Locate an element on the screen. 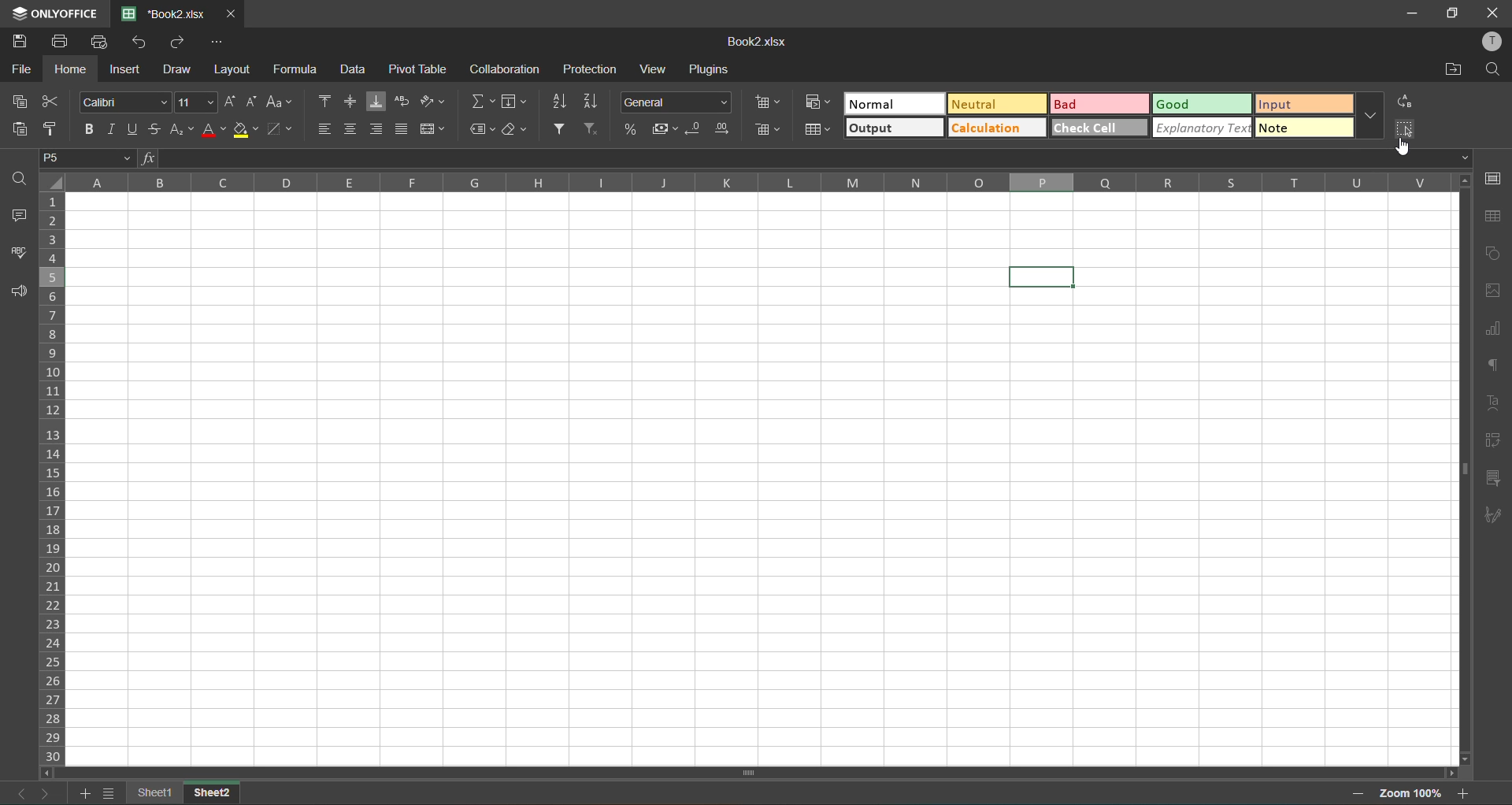 This screenshot has height=805, width=1512. cells is located at coordinates (760, 479).